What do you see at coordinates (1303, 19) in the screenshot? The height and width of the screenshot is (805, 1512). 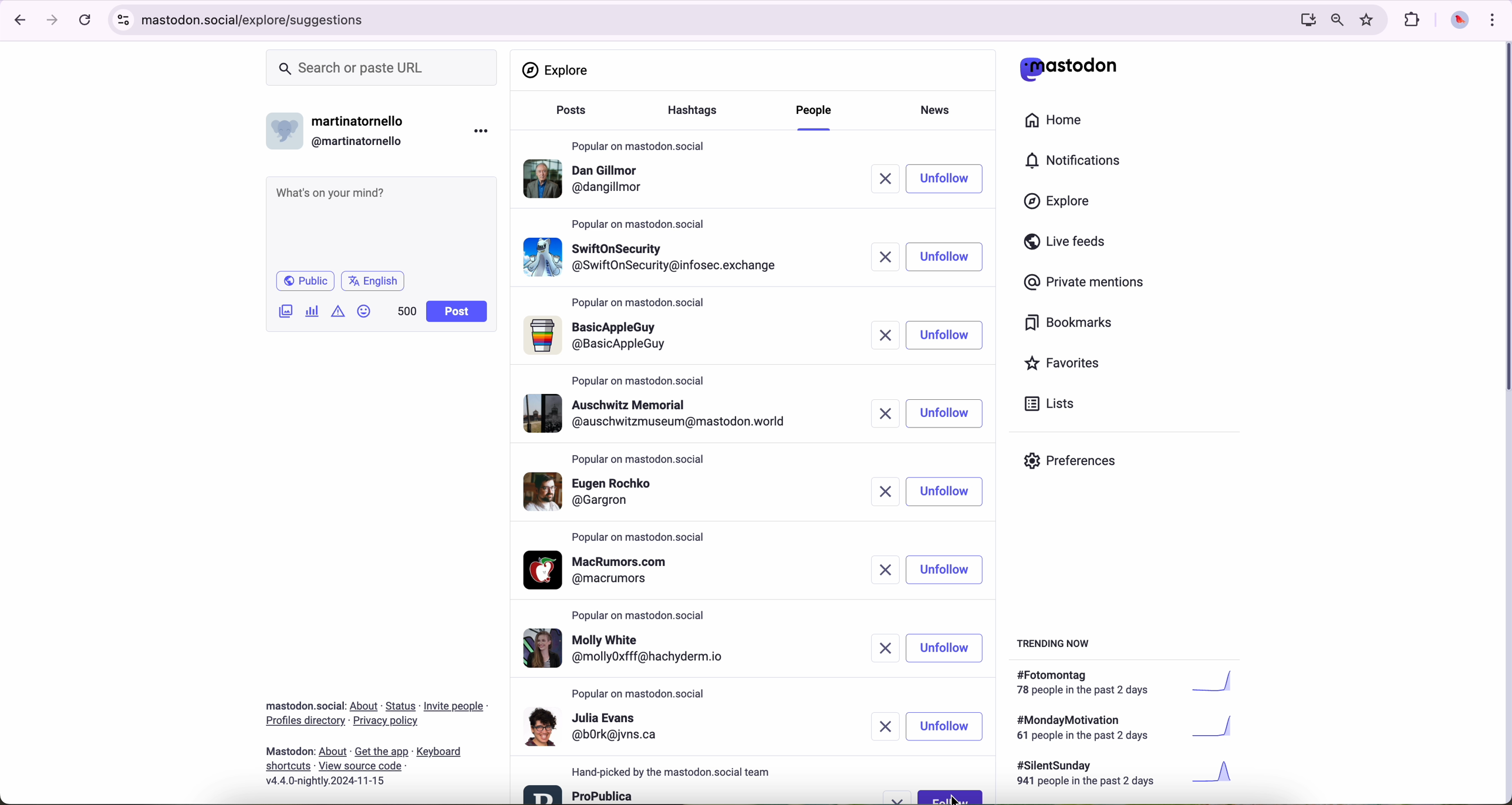 I see `computer` at bounding box center [1303, 19].